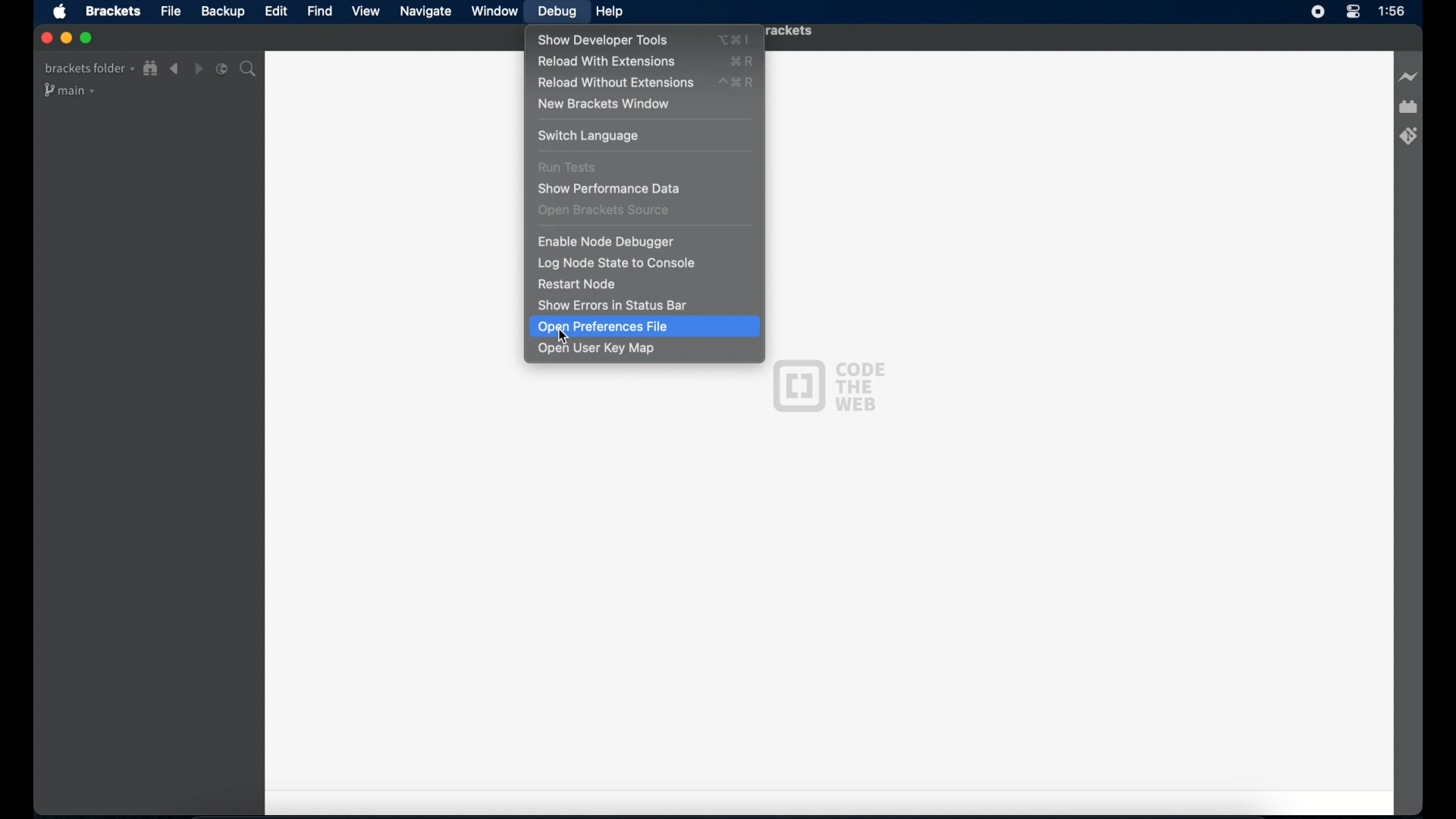  Describe the element at coordinates (860, 385) in the screenshot. I see `code the web` at that location.